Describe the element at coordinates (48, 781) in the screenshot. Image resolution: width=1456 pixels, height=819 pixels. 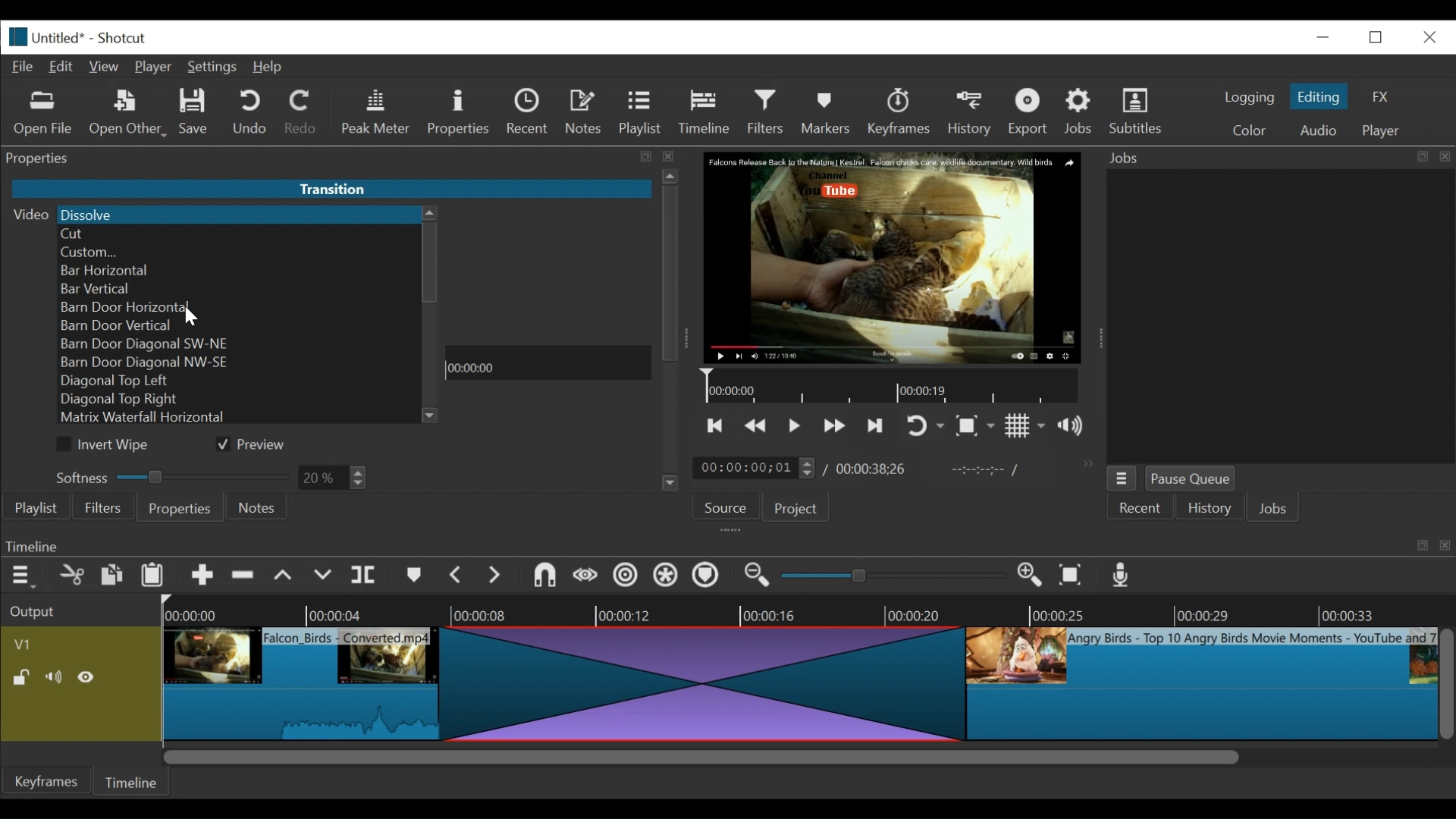
I see `Keyframes` at that location.